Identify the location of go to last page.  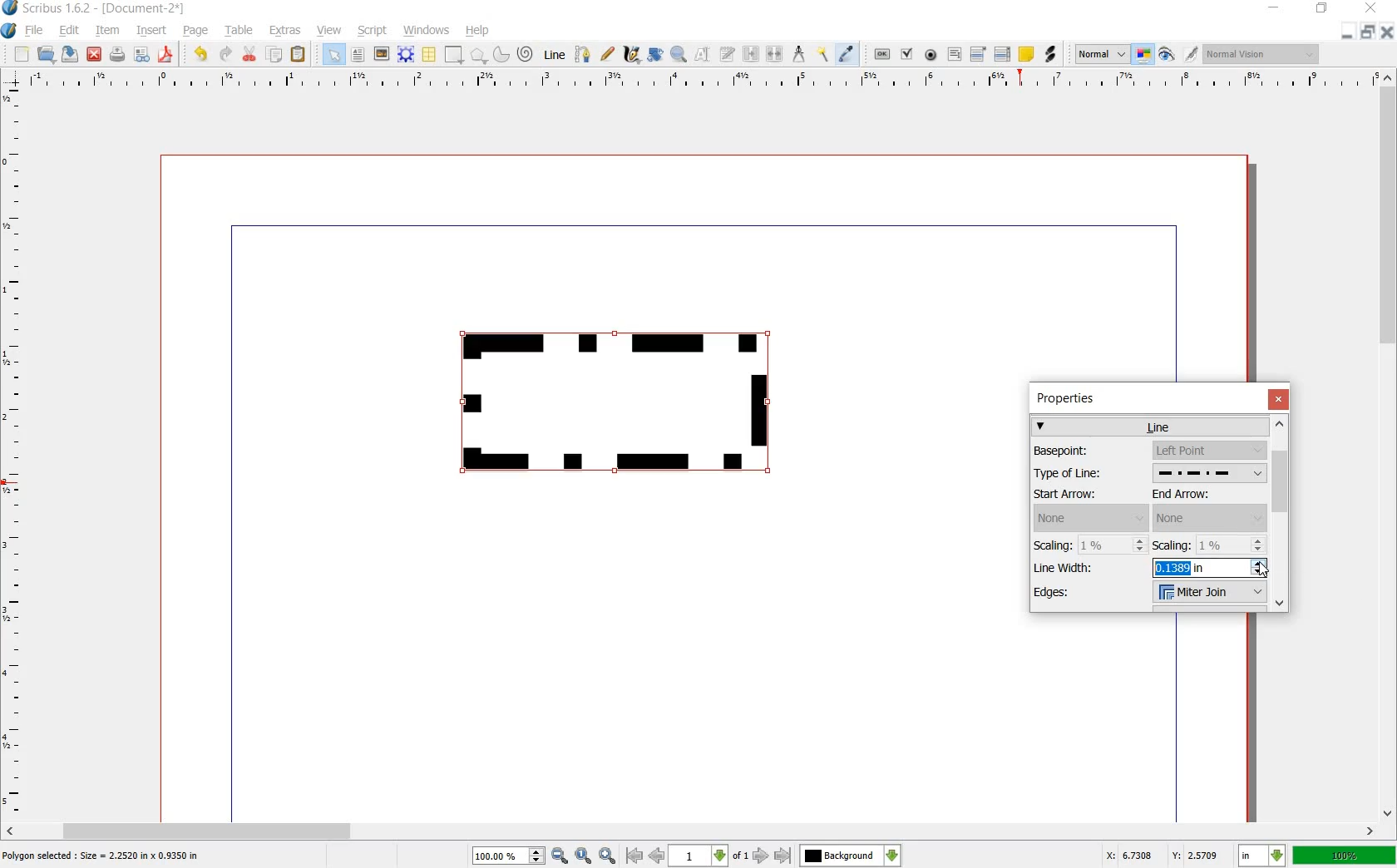
(782, 856).